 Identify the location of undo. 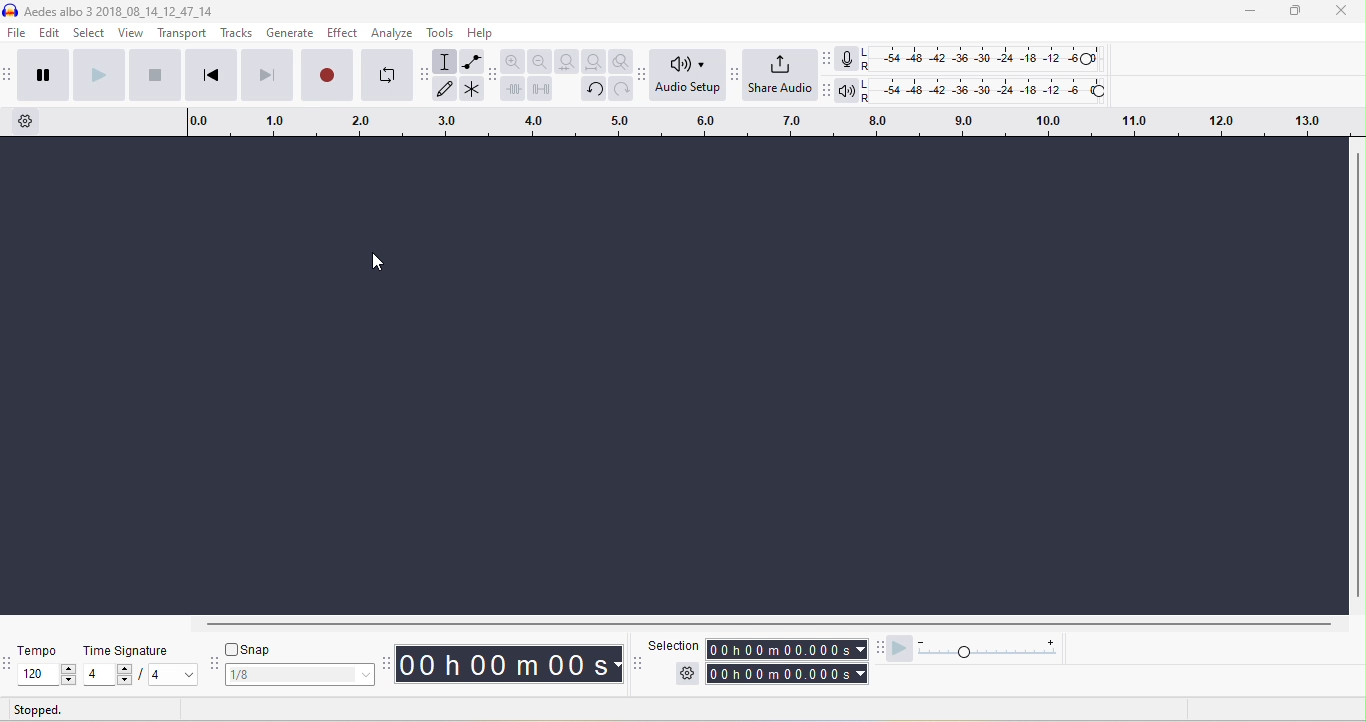
(594, 89).